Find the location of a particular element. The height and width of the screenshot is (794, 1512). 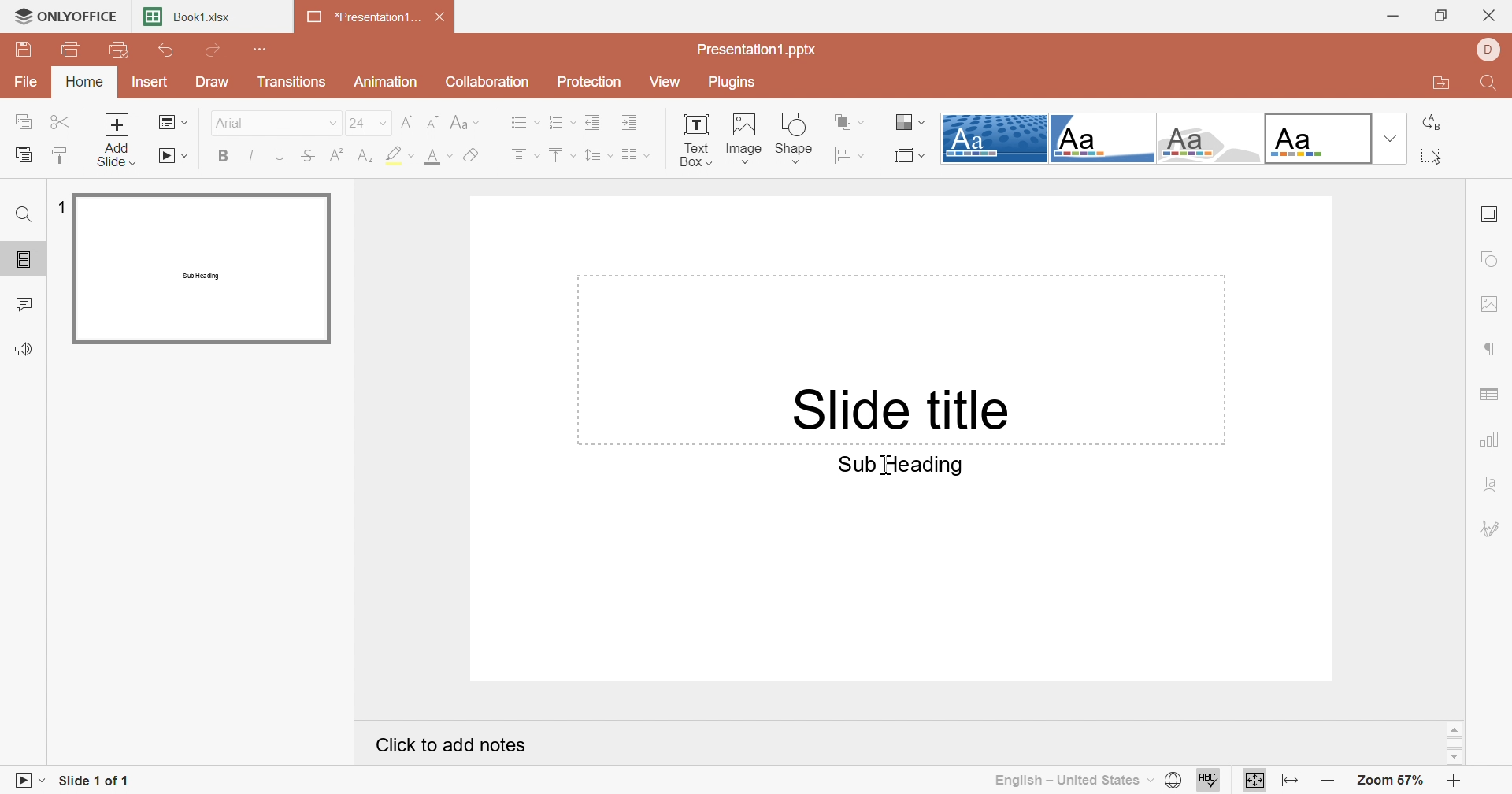

Change color theme is located at coordinates (910, 121).